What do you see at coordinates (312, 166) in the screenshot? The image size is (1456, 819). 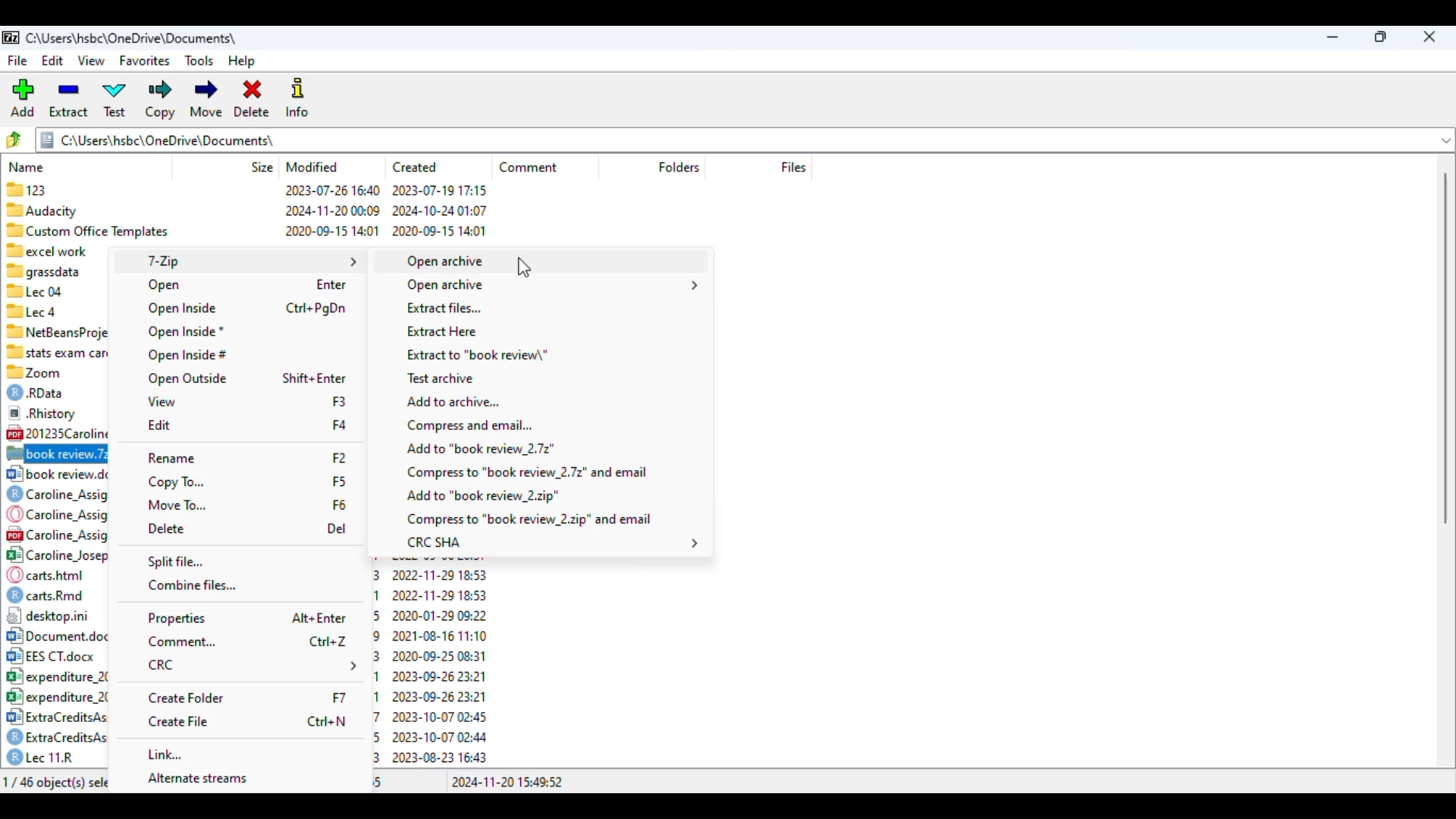 I see `modified` at bounding box center [312, 166].